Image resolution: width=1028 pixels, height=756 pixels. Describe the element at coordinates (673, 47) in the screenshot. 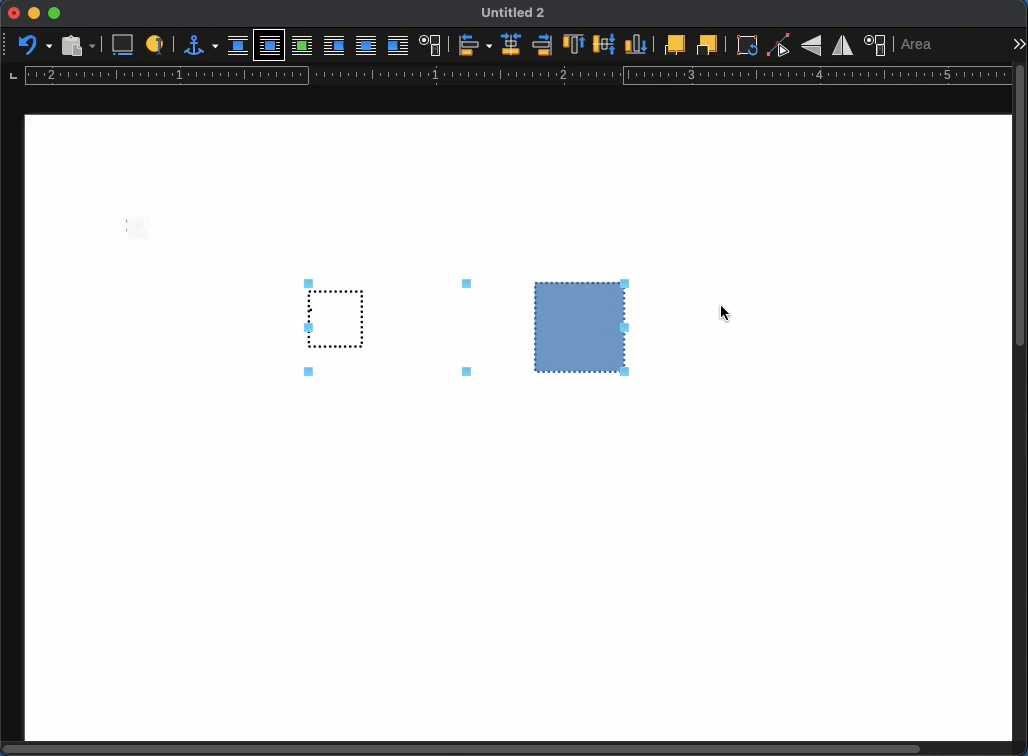

I see `front one` at that location.